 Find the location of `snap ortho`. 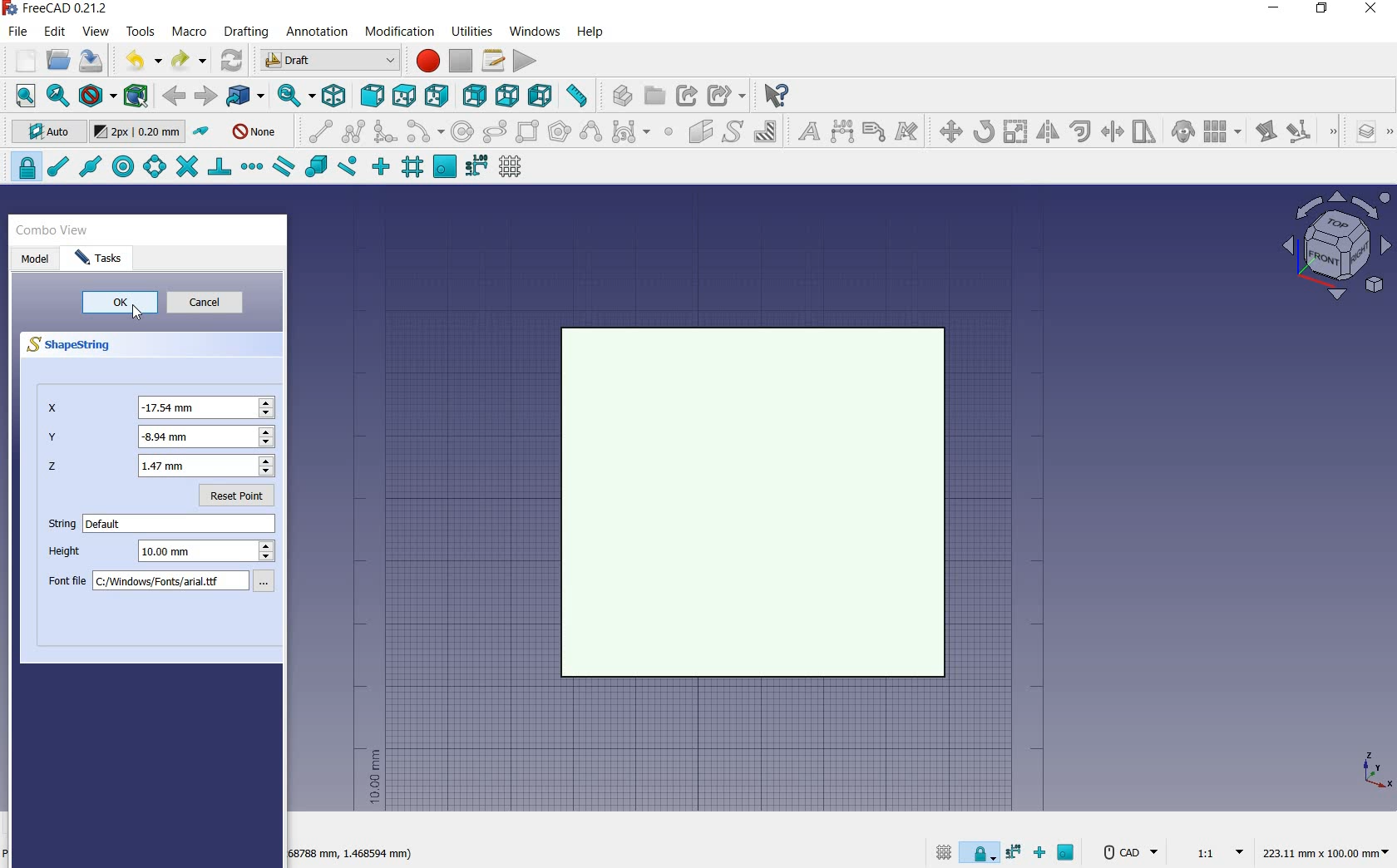

snap ortho is located at coordinates (381, 167).